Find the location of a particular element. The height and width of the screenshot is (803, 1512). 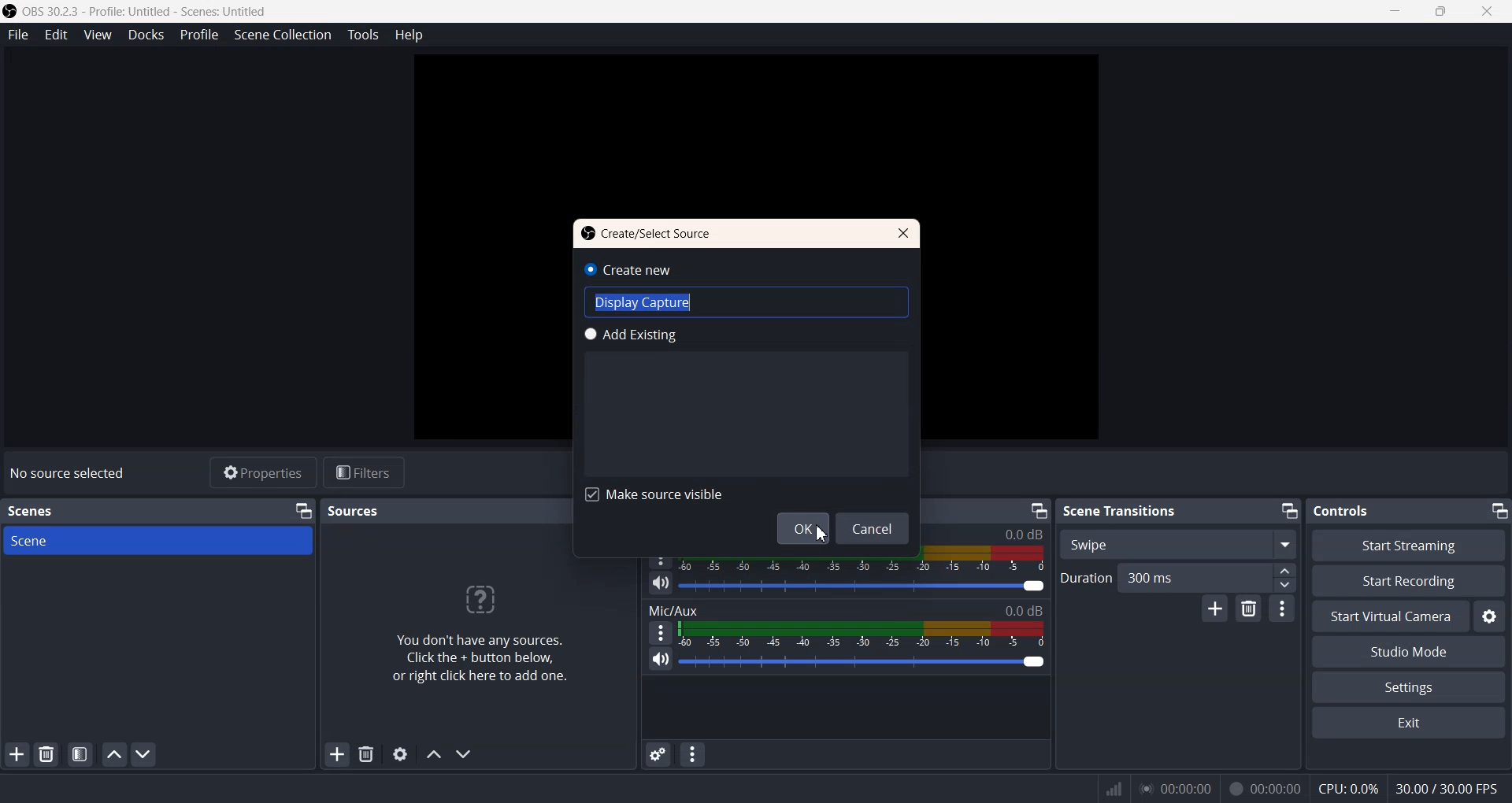

Move scene Up is located at coordinates (114, 755).